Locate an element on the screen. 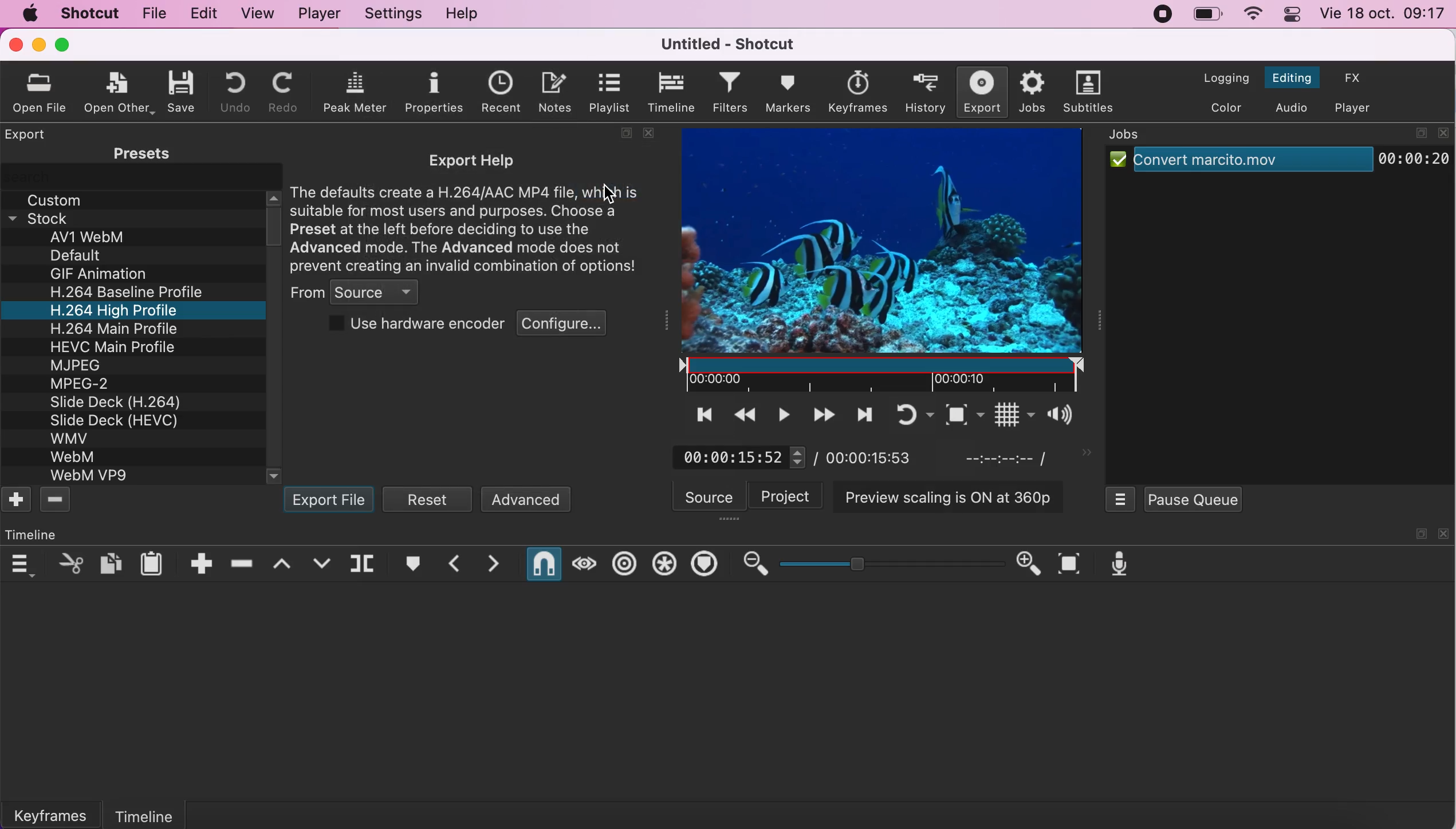  panel control is located at coordinates (1293, 14).